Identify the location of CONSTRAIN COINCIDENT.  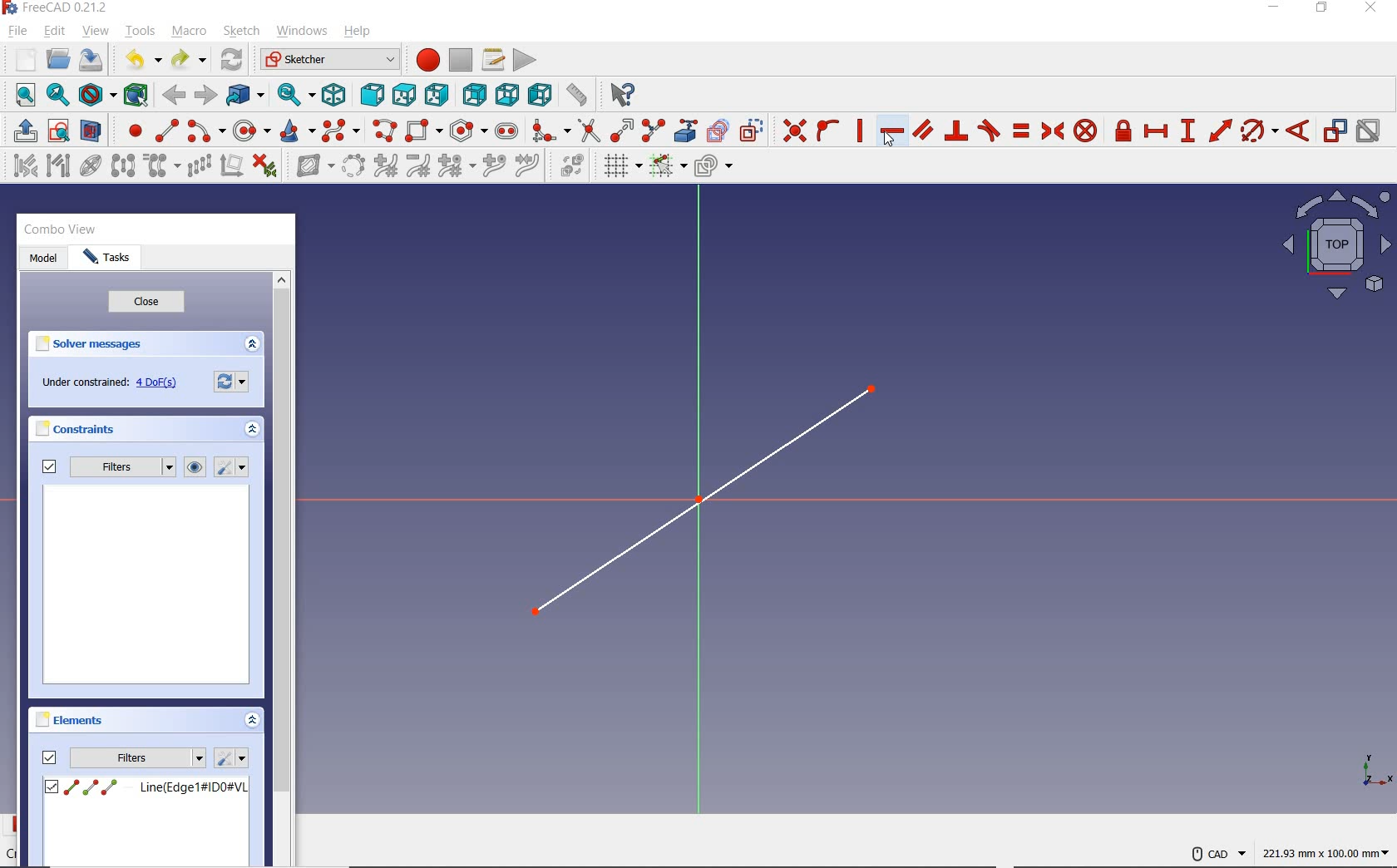
(795, 129).